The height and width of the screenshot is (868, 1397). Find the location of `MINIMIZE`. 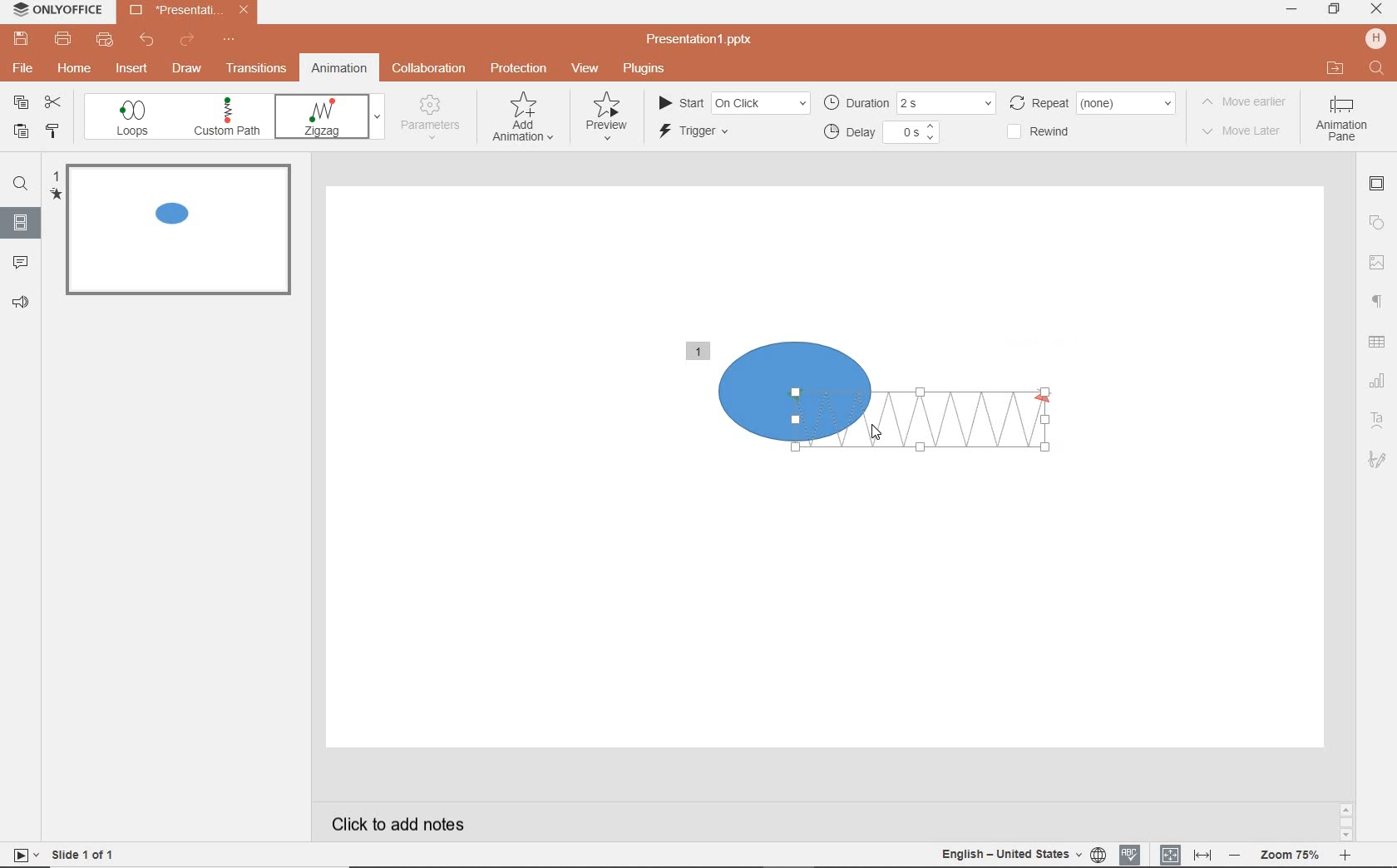

MINIMIZE is located at coordinates (1291, 9).